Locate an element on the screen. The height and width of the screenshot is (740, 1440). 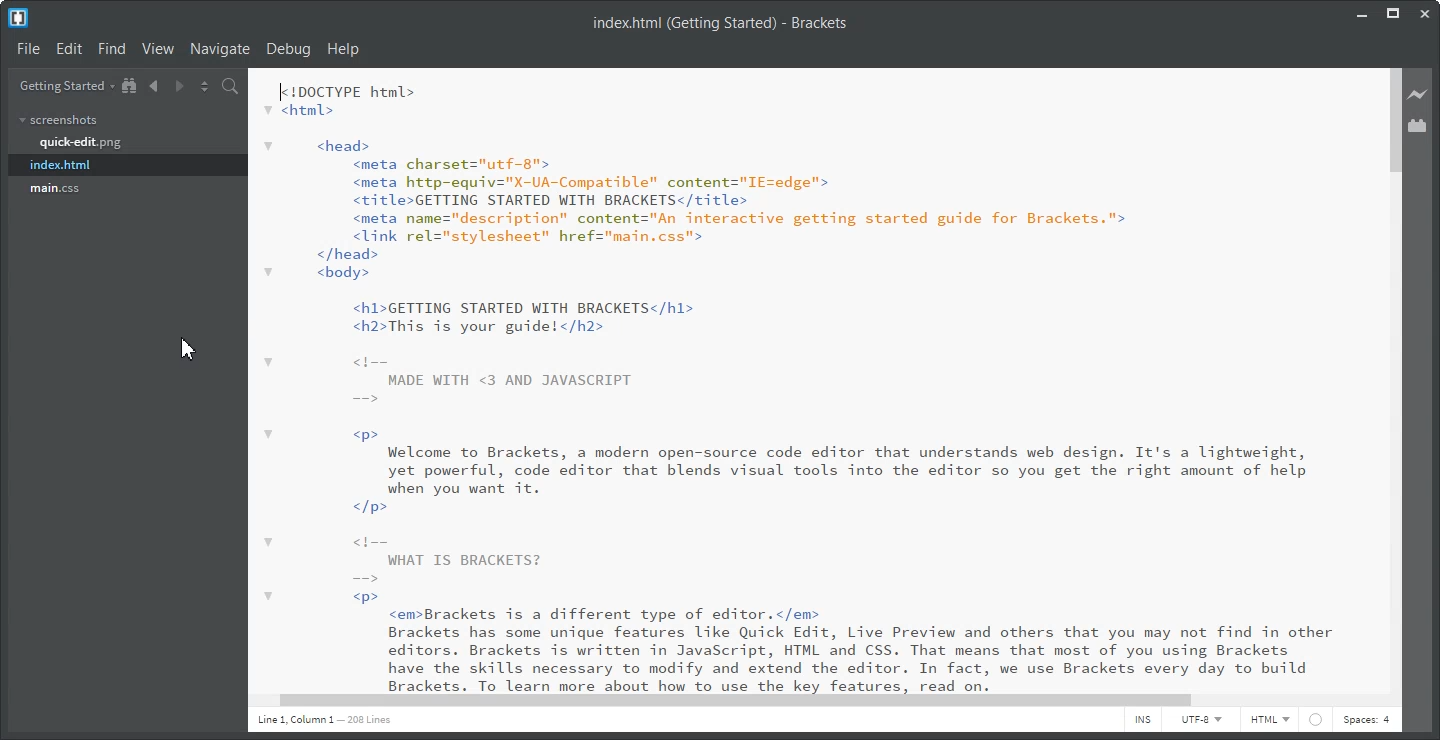
UTF-8 is located at coordinates (1201, 721).